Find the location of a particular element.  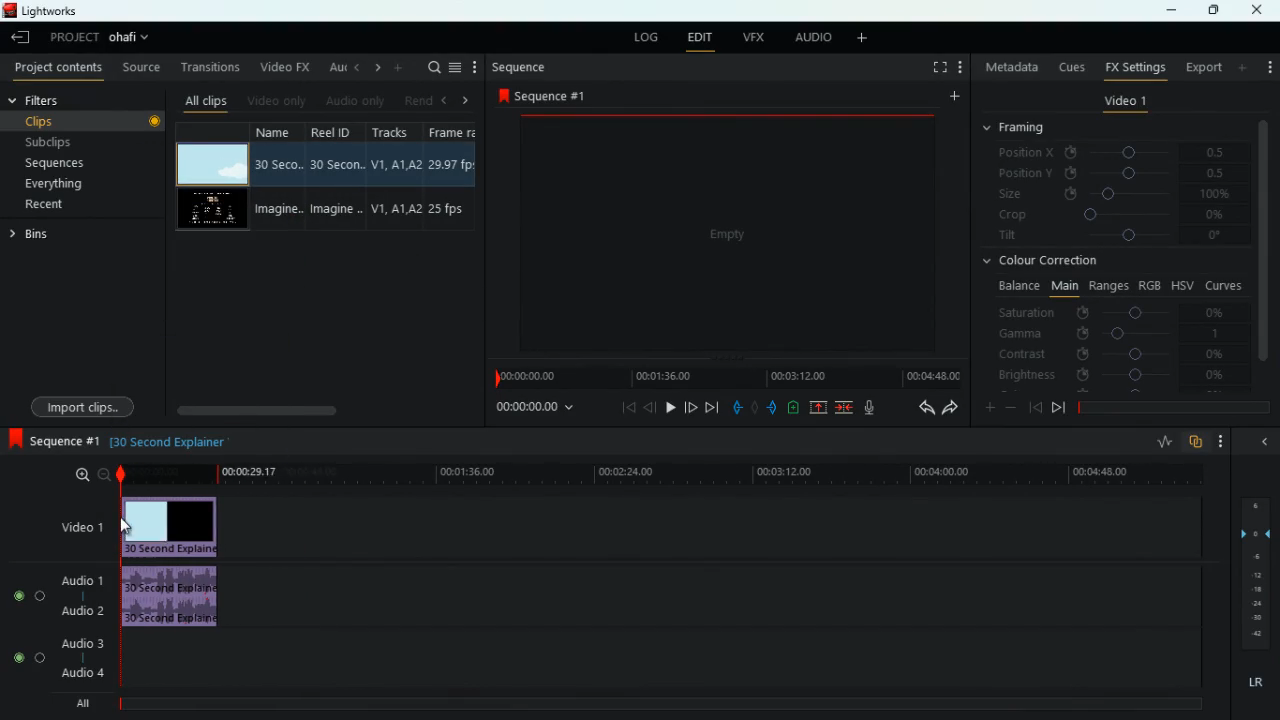

0 (layer) is located at coordinates (1252, 531).